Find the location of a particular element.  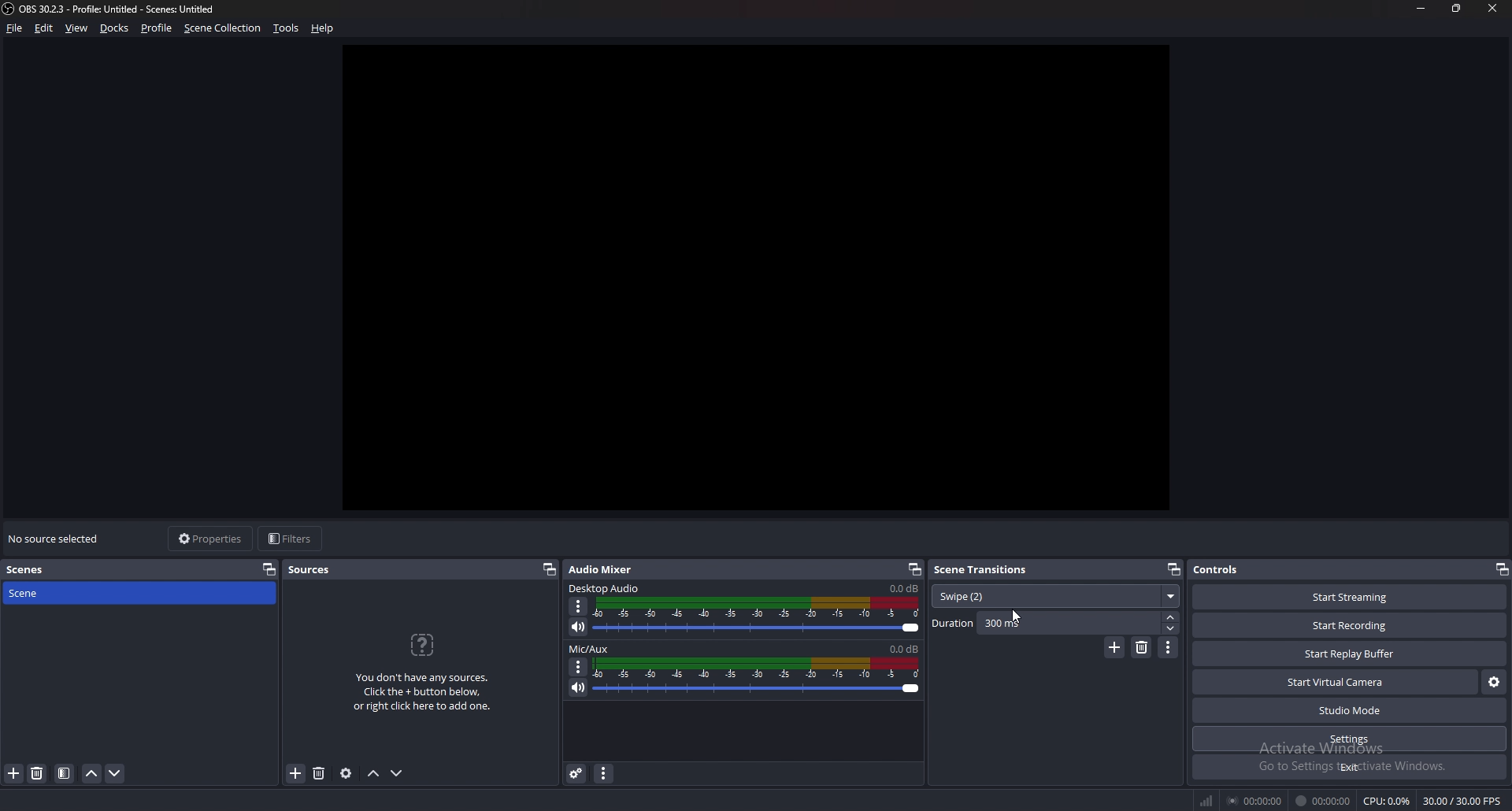

increase duration is located at coordinates (1172, 616).